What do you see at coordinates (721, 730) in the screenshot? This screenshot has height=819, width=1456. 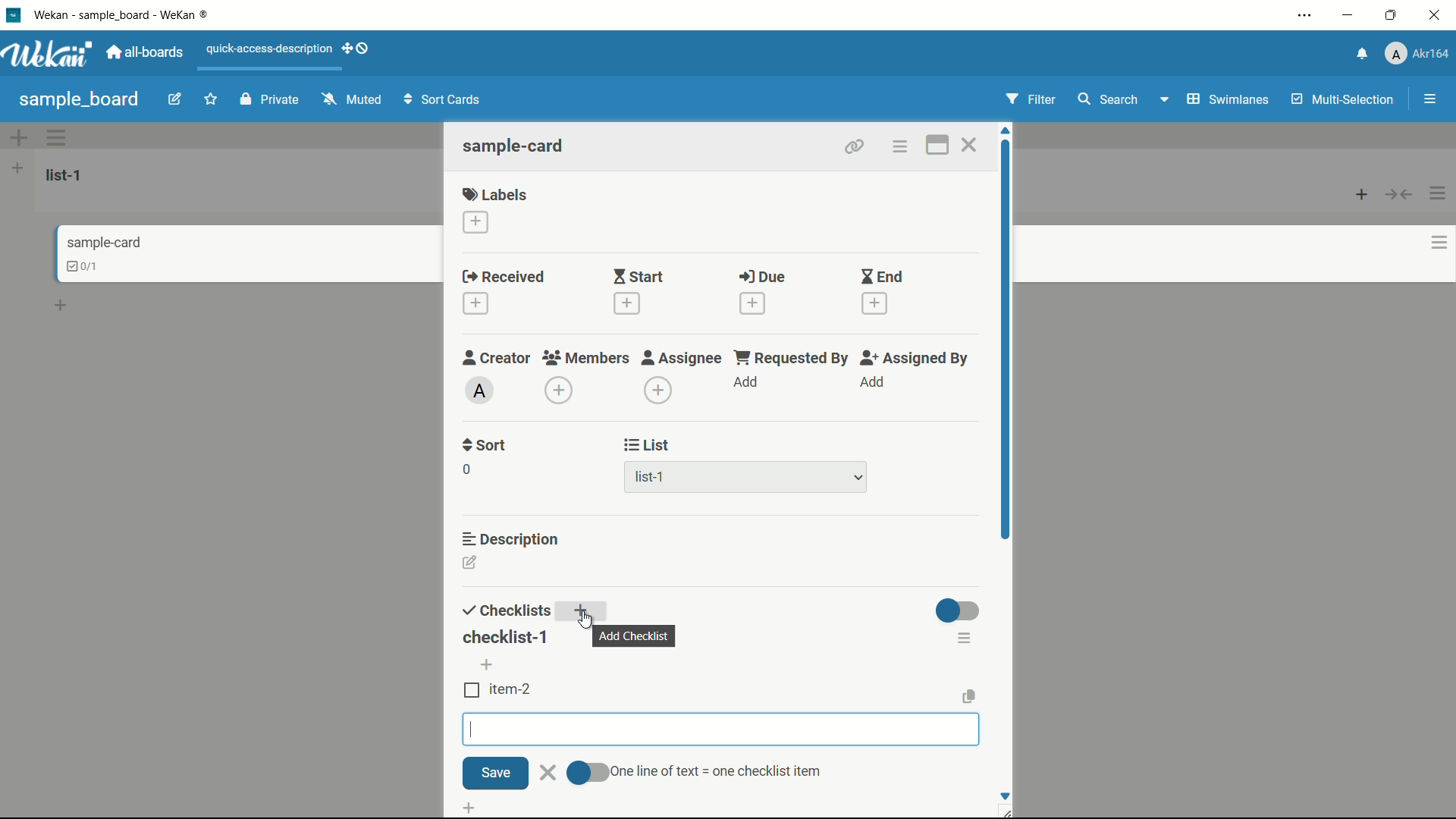 I see `item name input bar` at bounding box center [721, 730].